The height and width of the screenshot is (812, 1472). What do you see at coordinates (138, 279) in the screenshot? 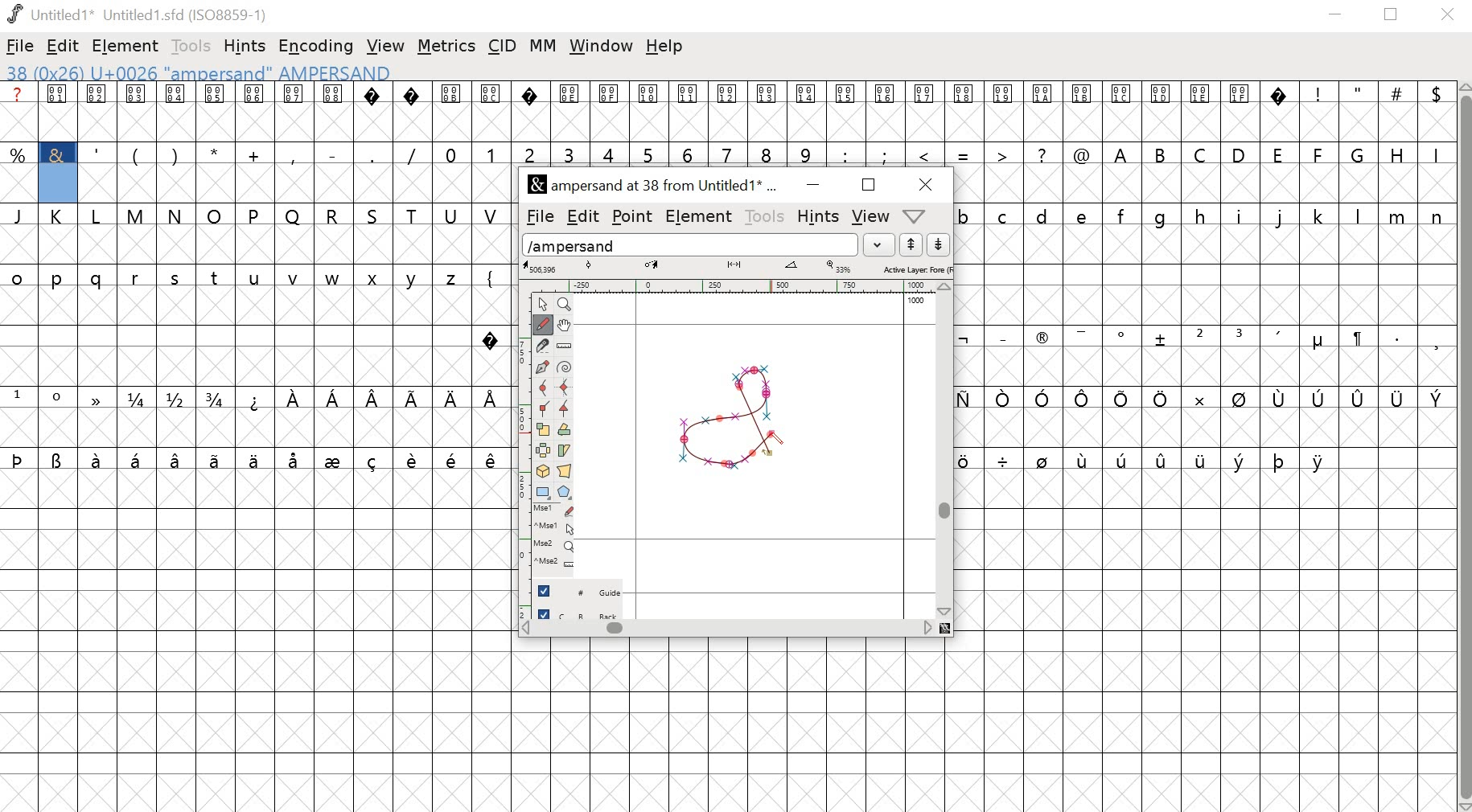
I see `r` at bounding box center [138, 279].